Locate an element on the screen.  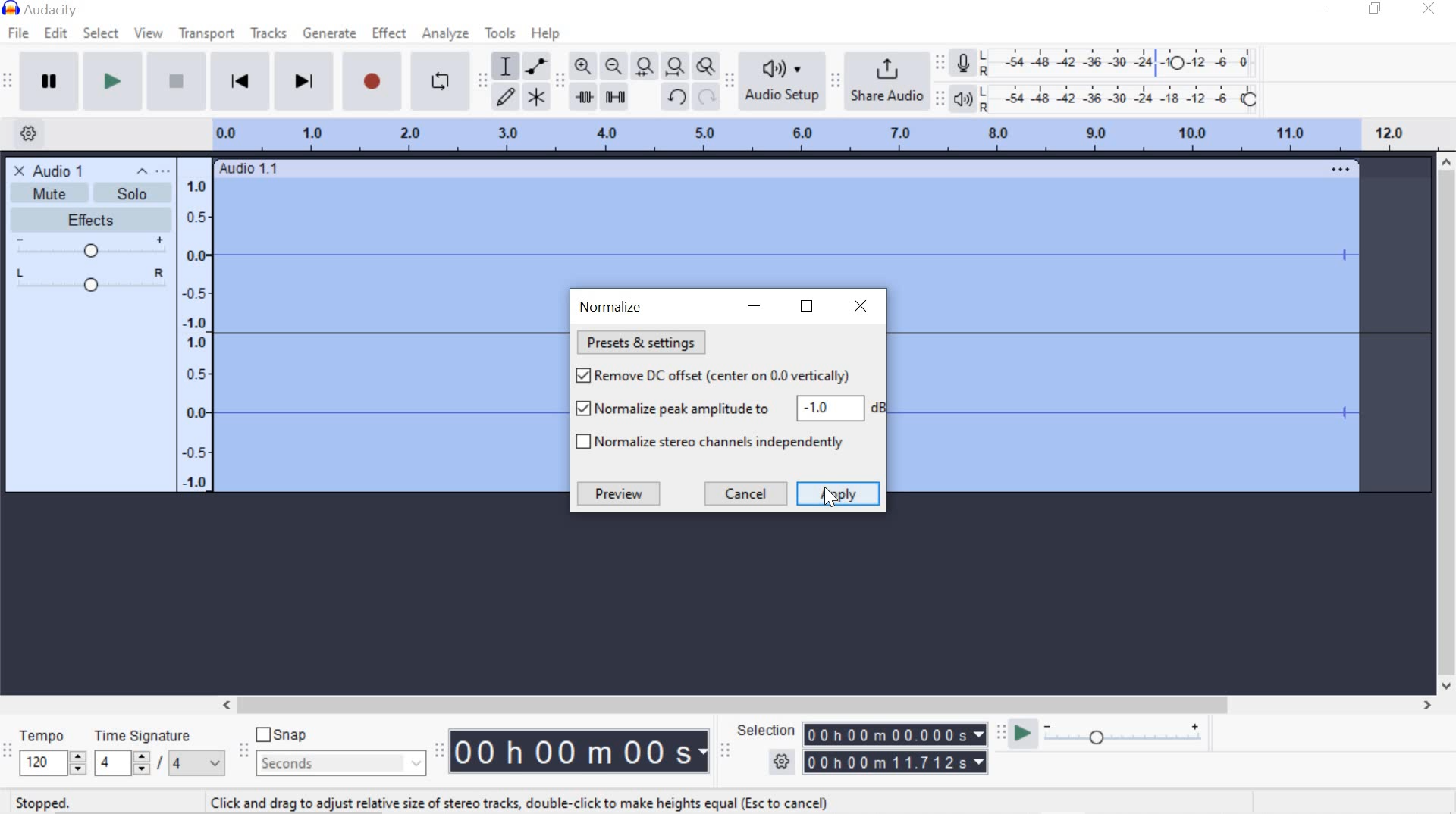
Skip to End is located at coordinates (306, 83).